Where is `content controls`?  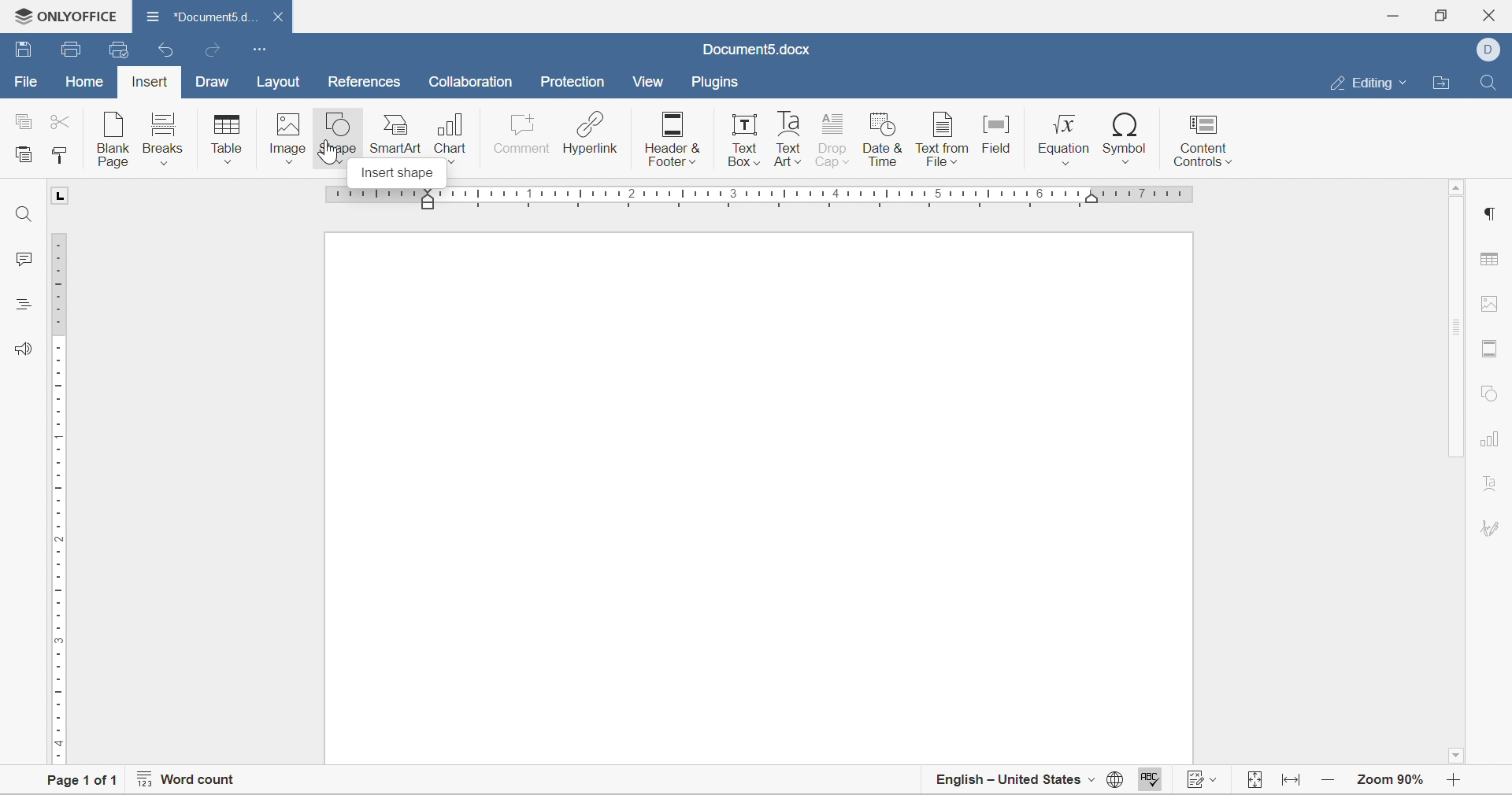 content controls is located at coordinates (1203, 140).